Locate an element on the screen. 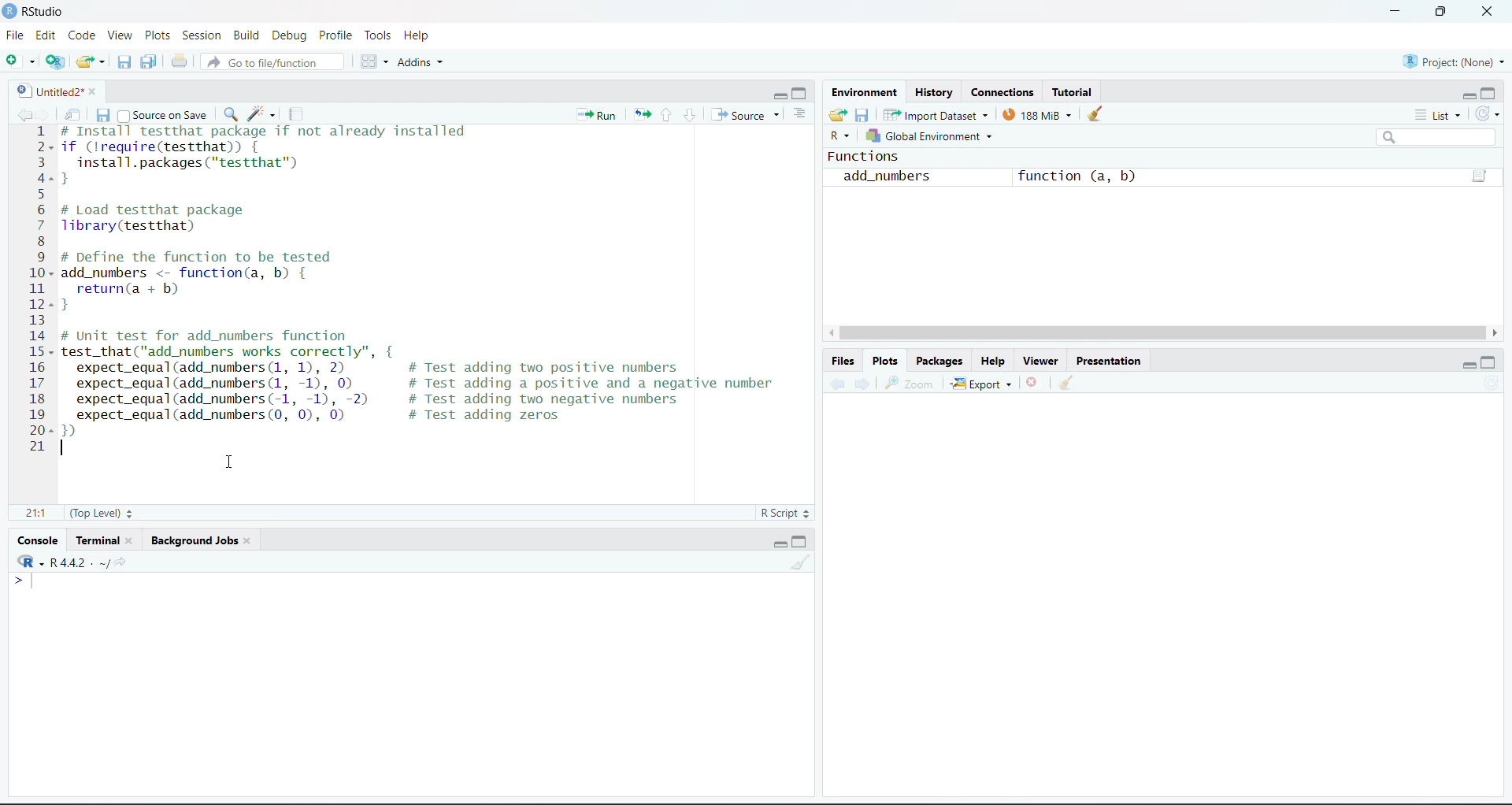 The width and height of the screenshot is (1512, 805). save all open documents is located at coordinates (150, 62).